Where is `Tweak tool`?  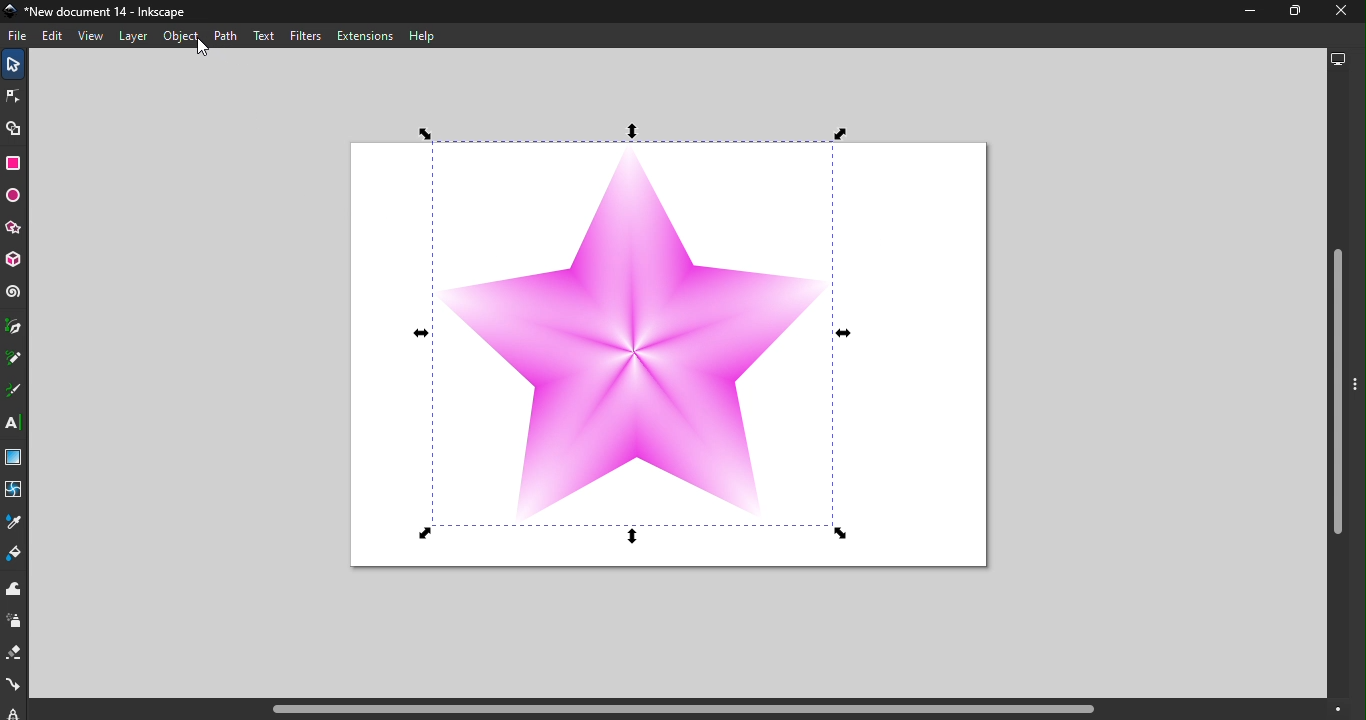 Tweak tool is located at coordinates (17, 587).